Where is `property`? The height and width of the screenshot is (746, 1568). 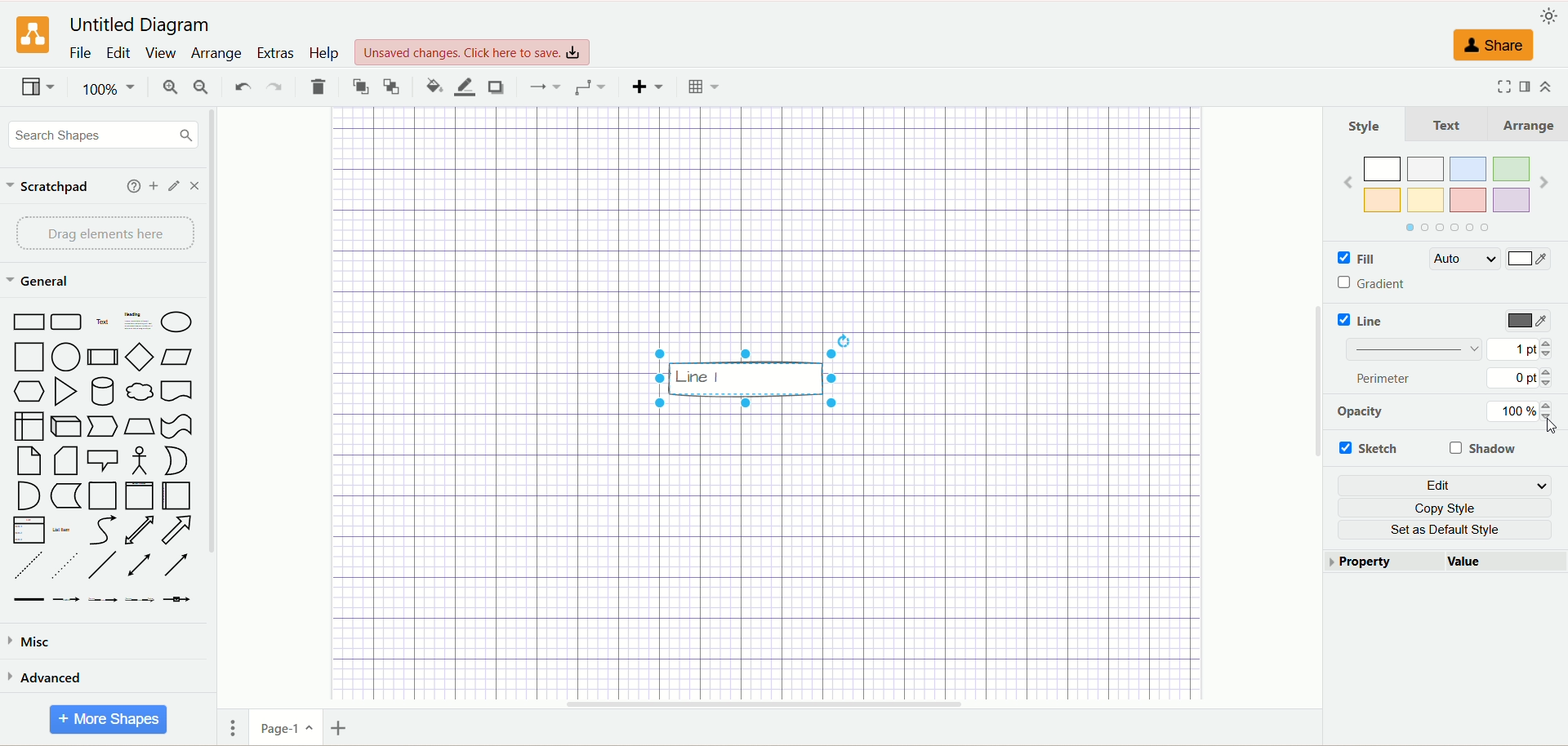
property is located at coordinates (1379, 562).